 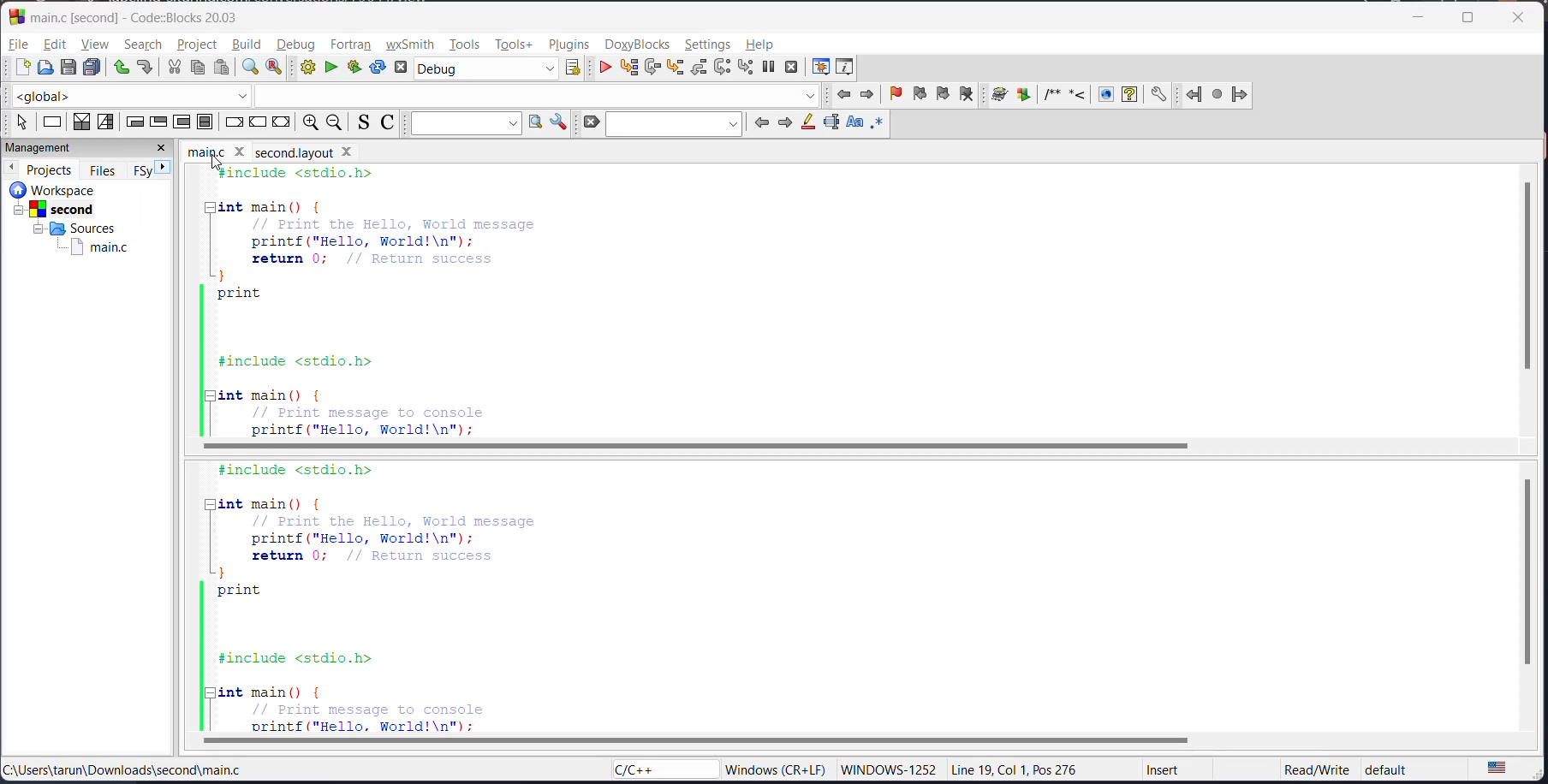 What do you see at coordinates (44, 146) in the screenshot?
I see `management` at bounding box center [44, 146].